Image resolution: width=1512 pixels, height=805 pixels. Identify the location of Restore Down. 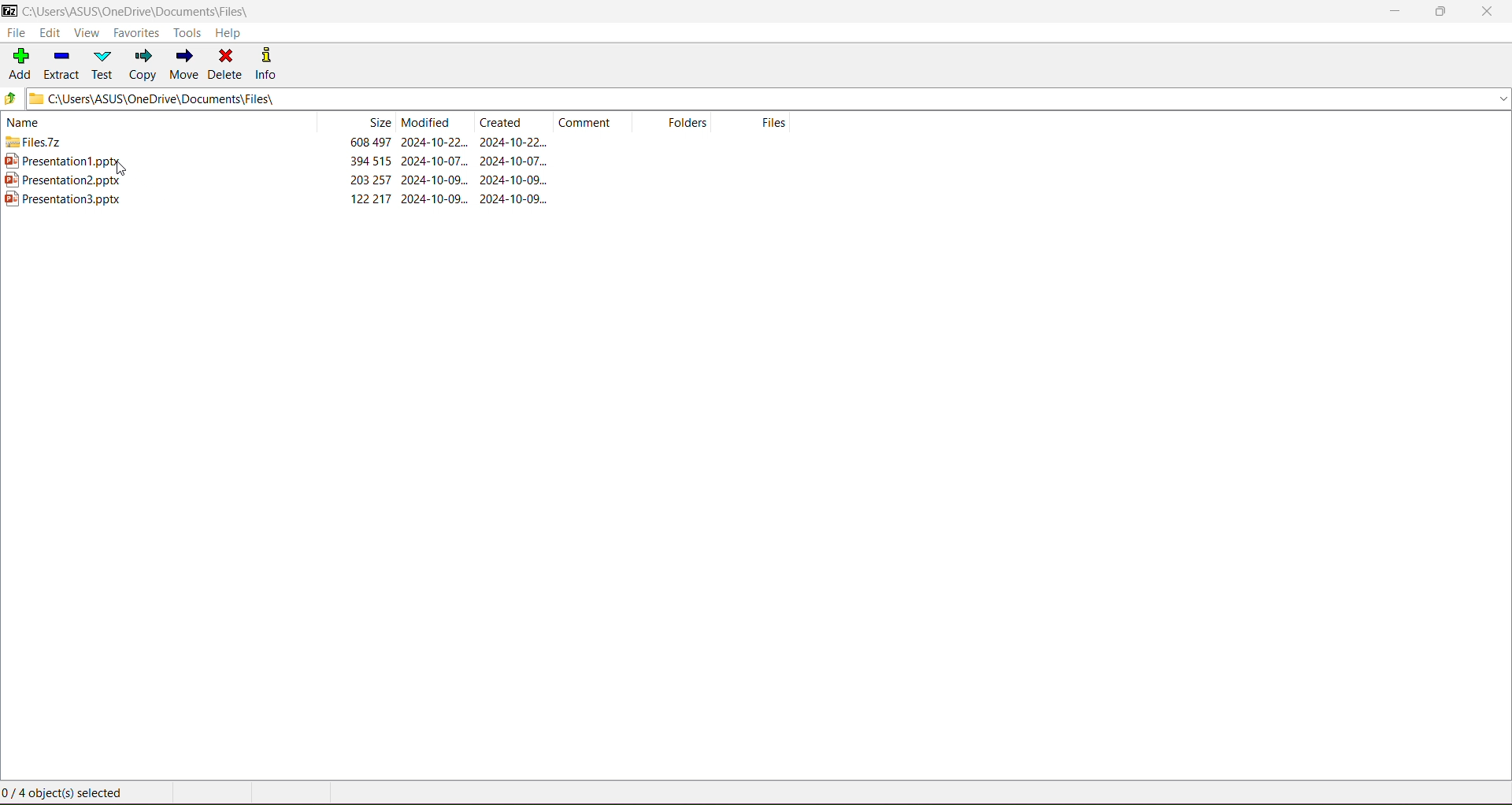
(1441, 12).